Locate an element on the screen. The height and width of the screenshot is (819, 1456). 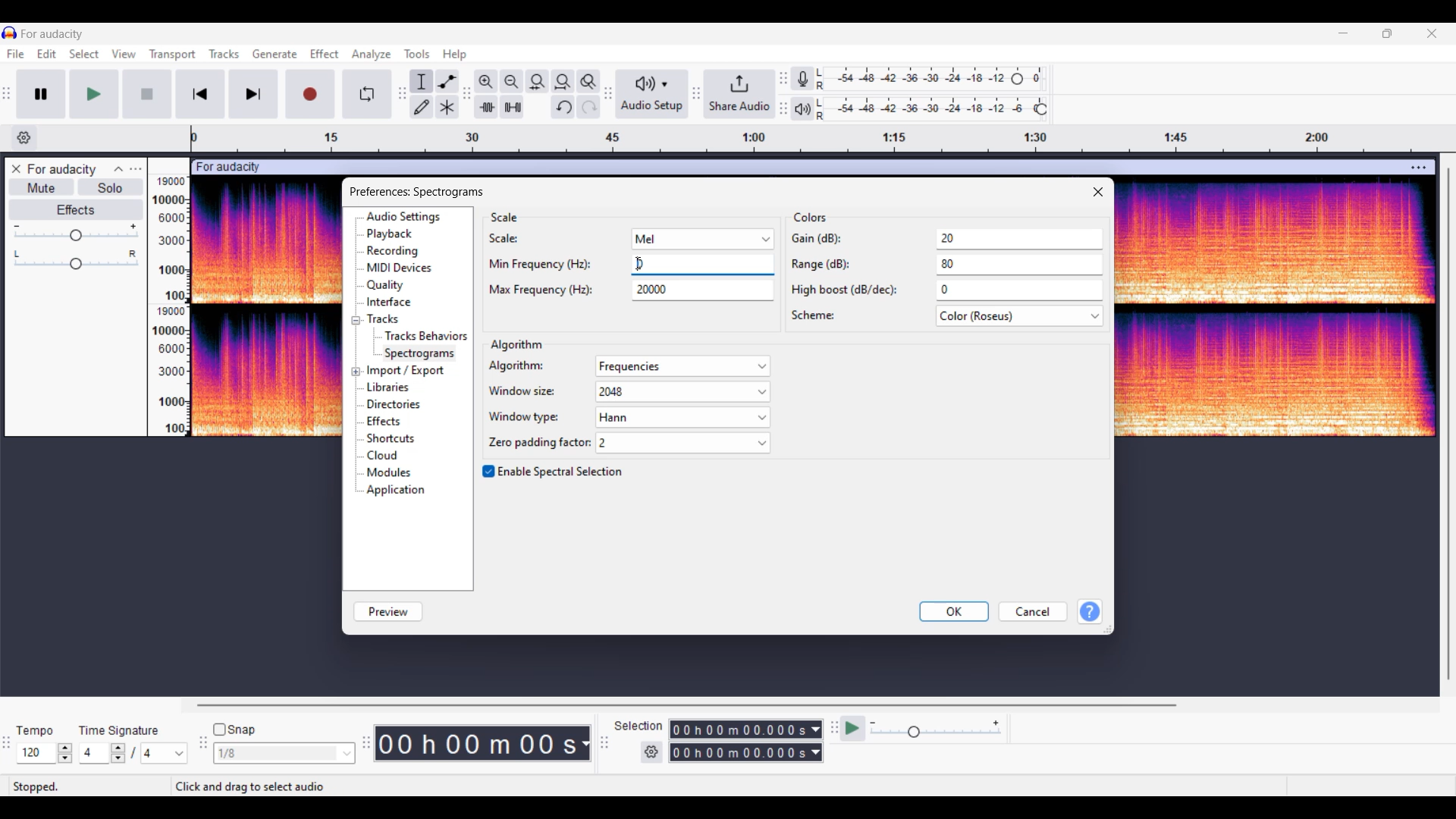
effects is located at coordinates (393, 422).